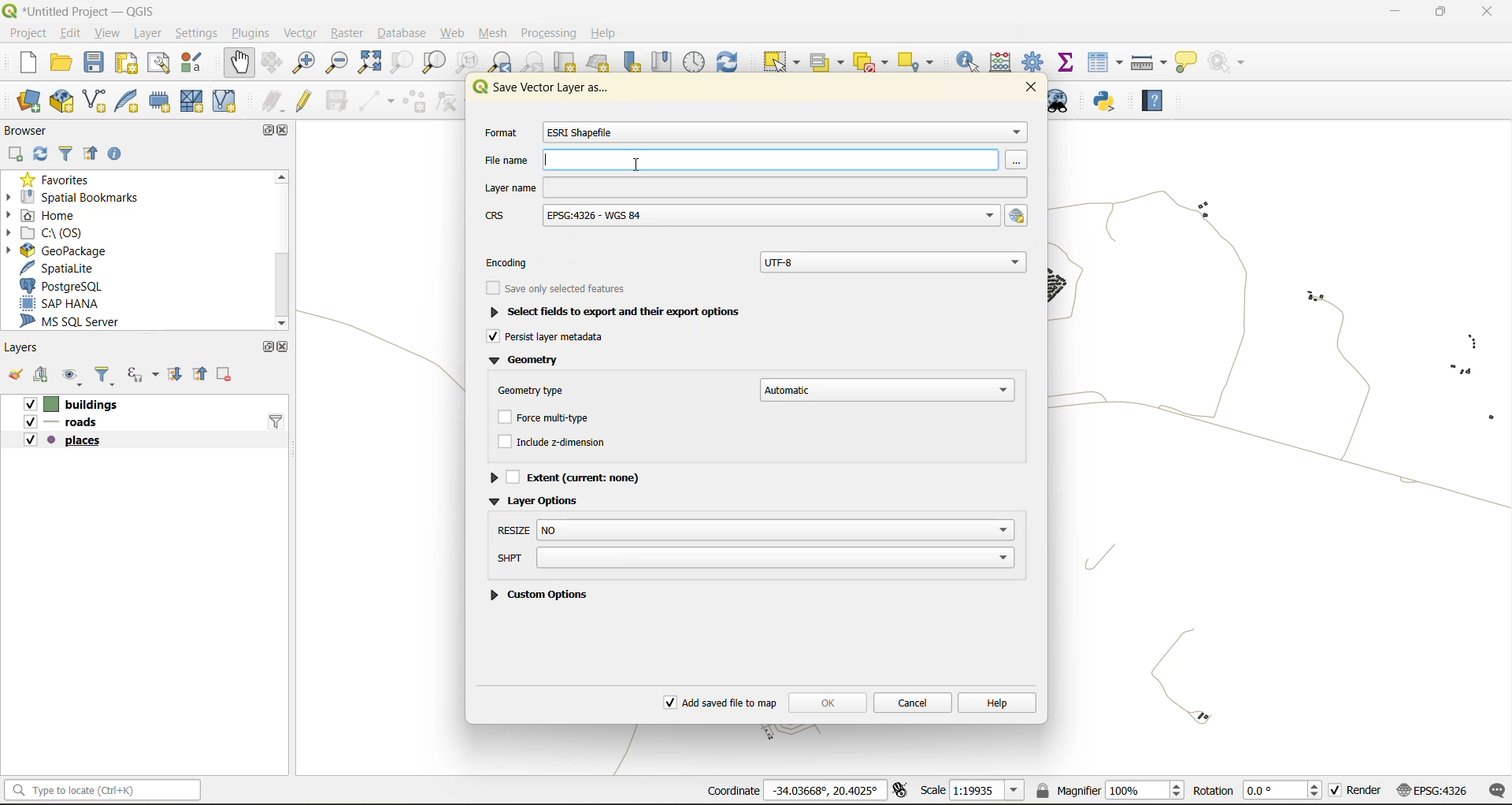 The width and height of the screenshot is (1512, 805). I want to click on collapse all, so click(204, 376).